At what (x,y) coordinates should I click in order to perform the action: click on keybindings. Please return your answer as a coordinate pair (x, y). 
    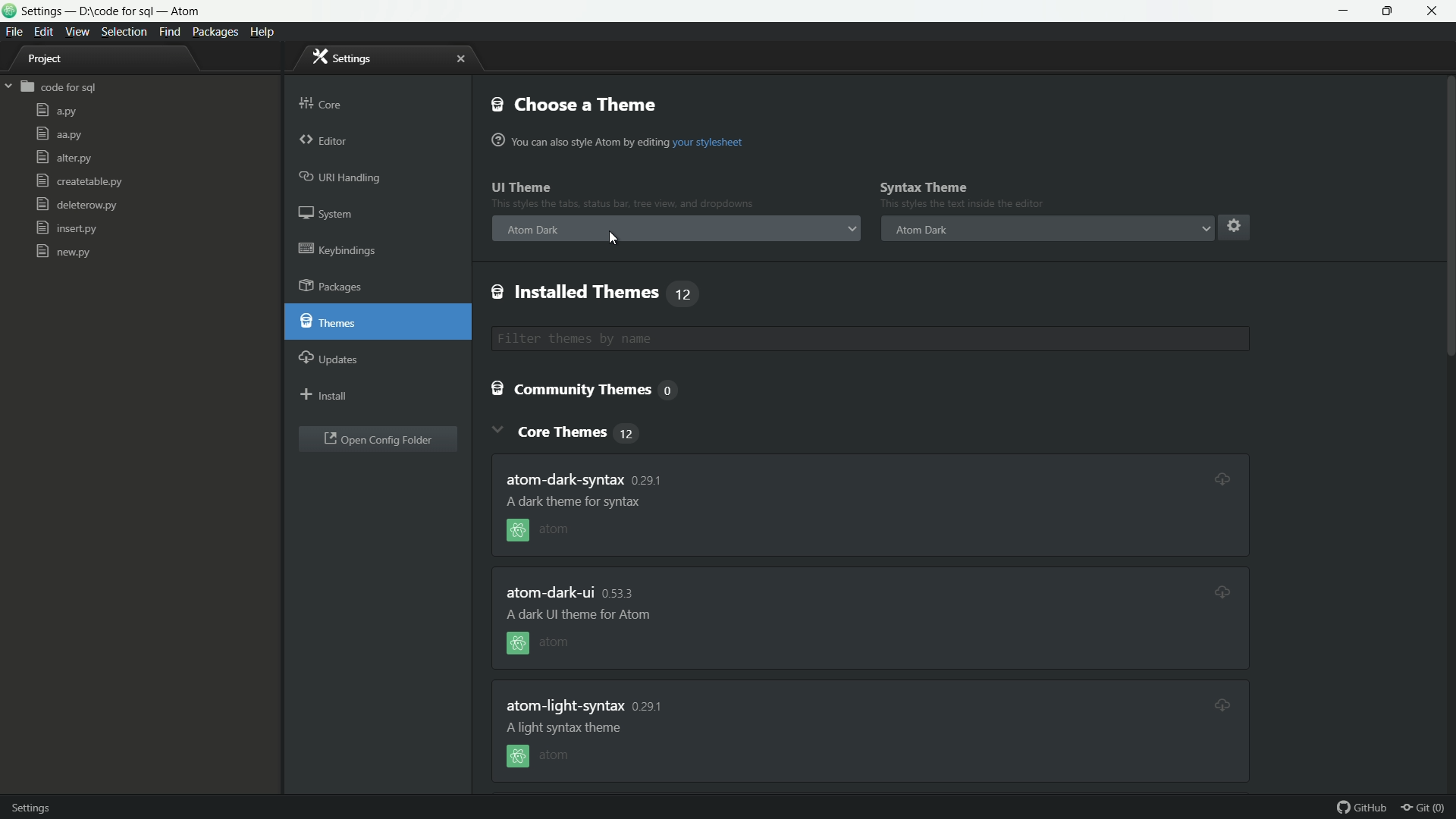
    Looking at the image, I should click on (338, 249).